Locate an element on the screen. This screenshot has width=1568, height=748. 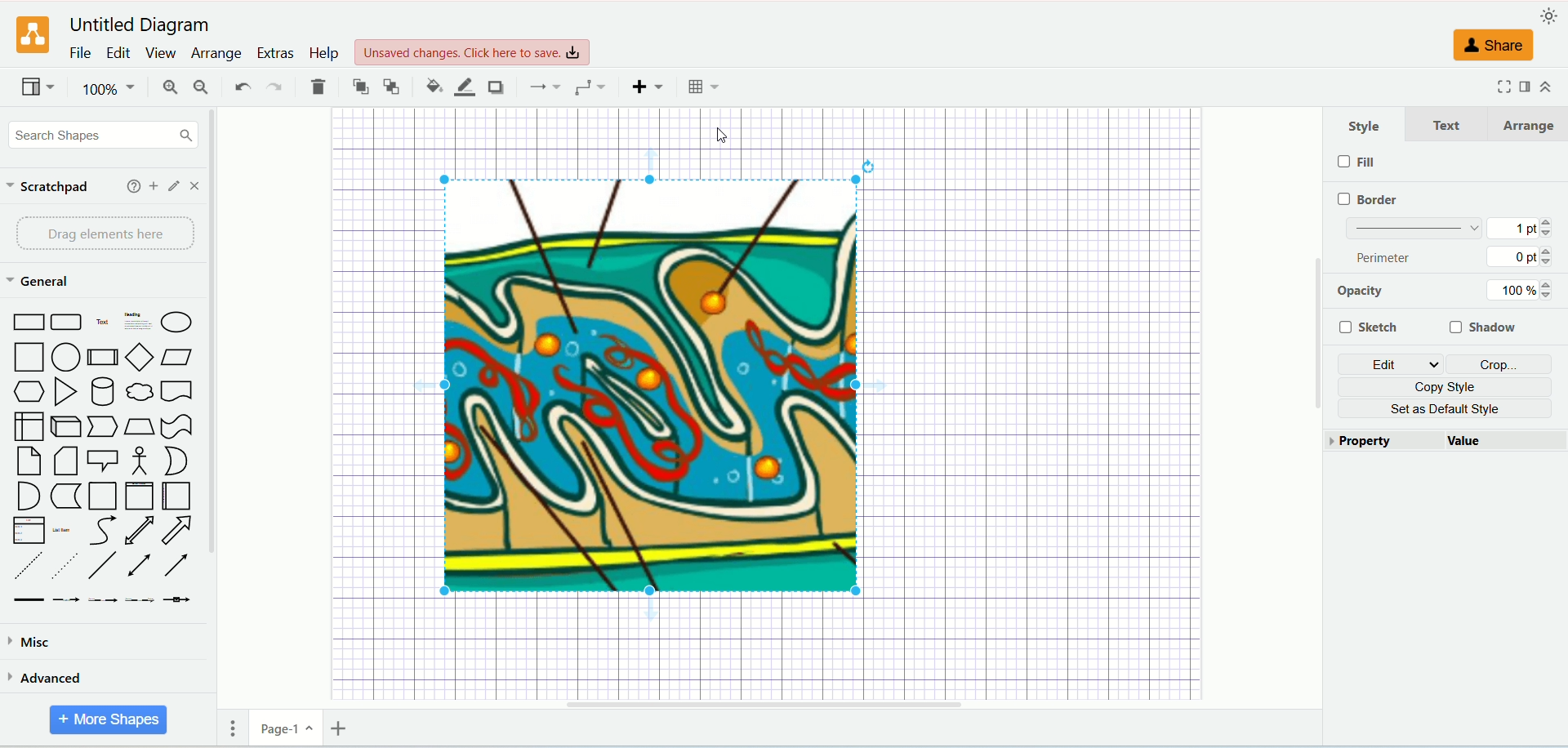
Or is located at coordinates (178, 461).